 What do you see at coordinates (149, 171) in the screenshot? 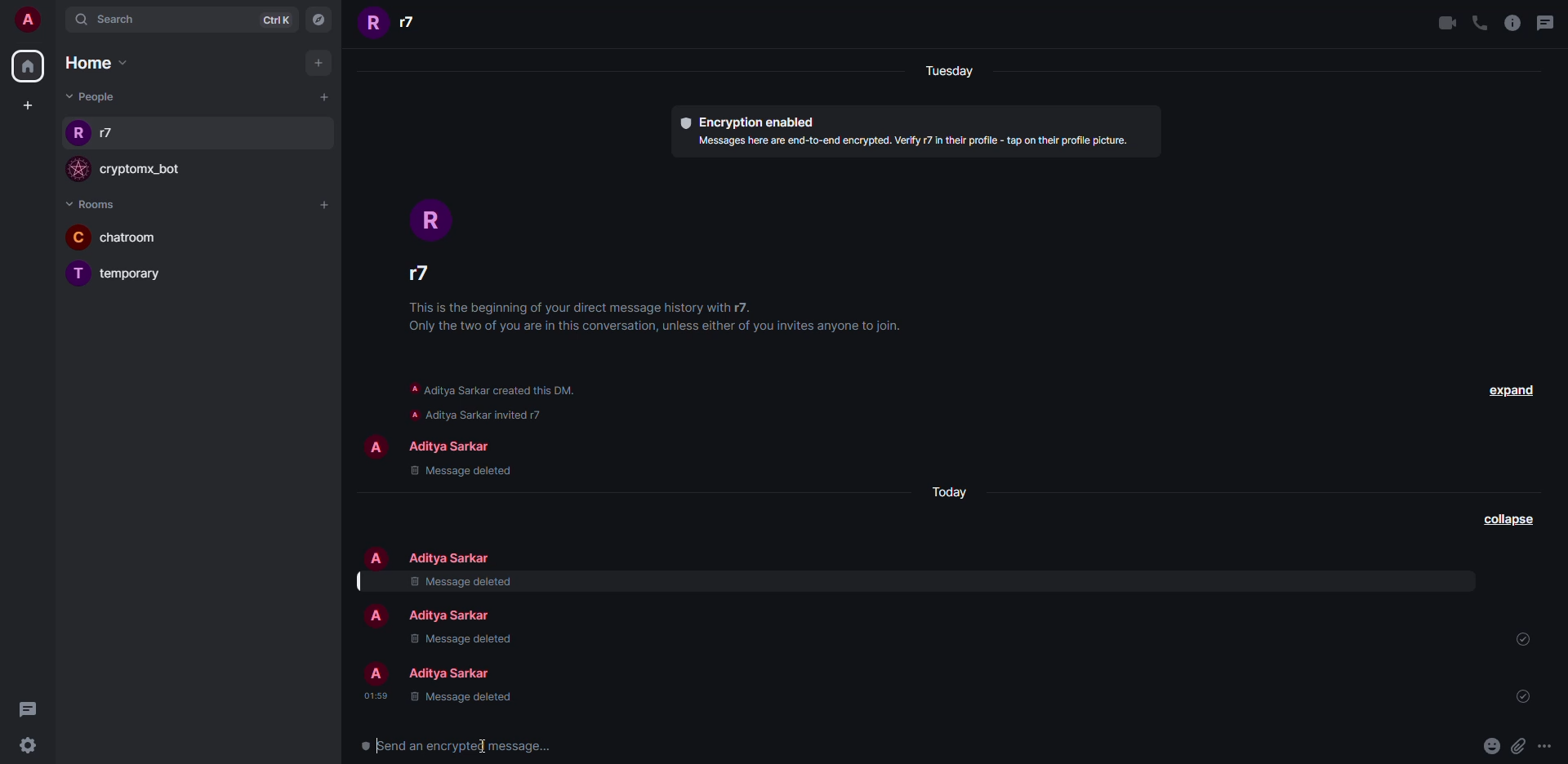
I see `bot` at bounding box center [149, 171].